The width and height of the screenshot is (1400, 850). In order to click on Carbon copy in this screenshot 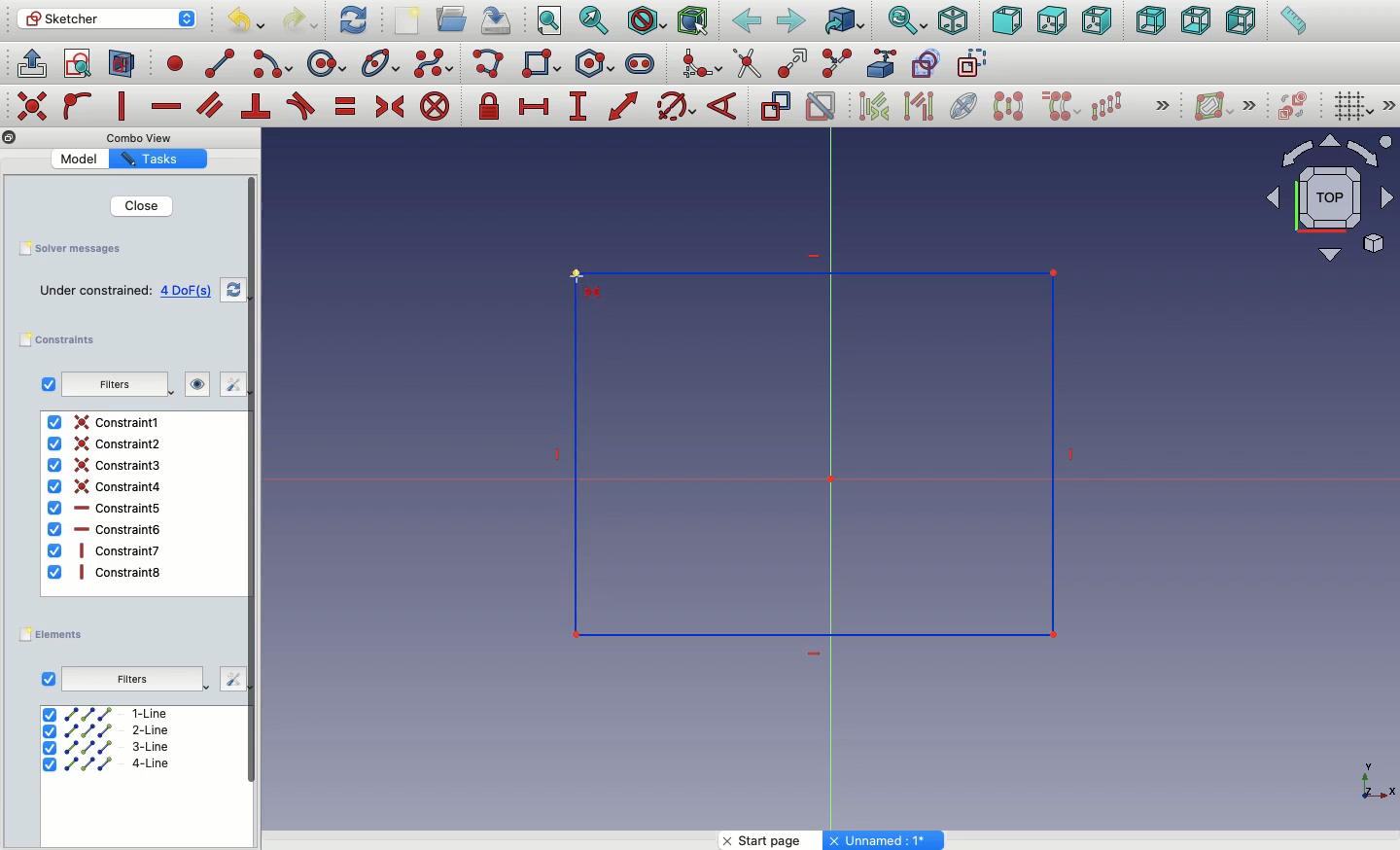, I will do `click(925, 63)`.